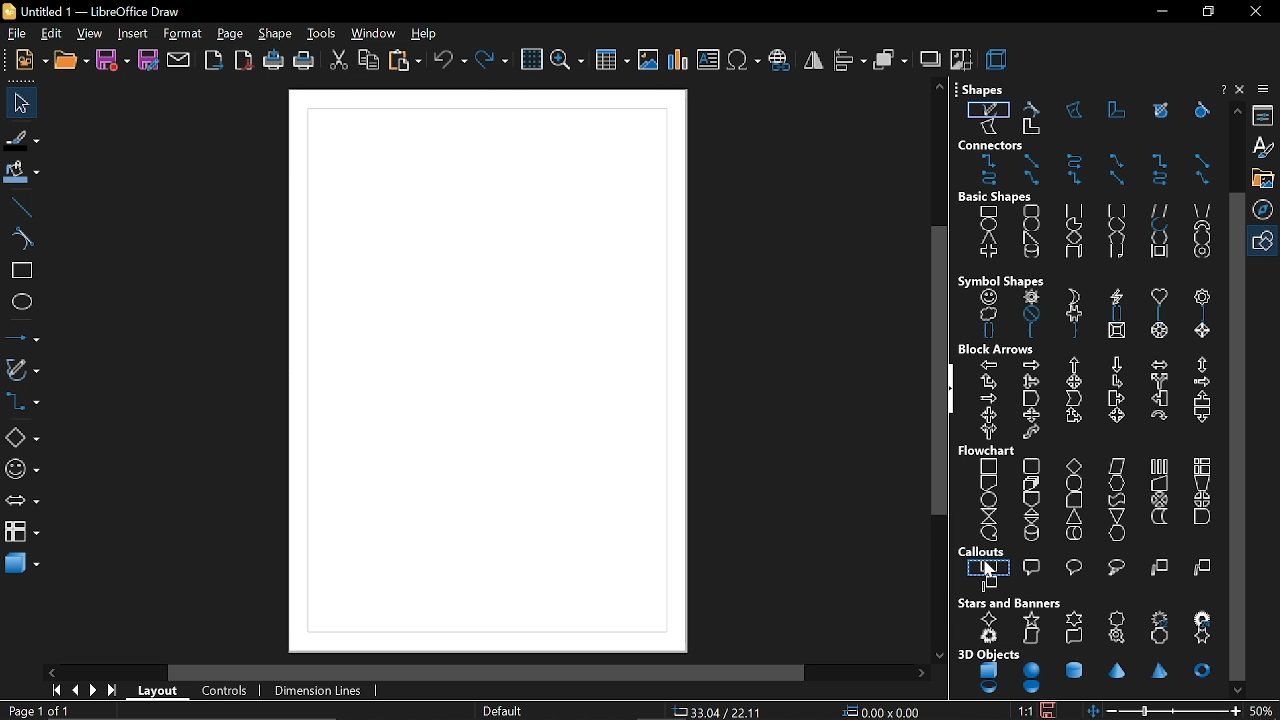  I want to click on prohibited, so click(1029, 316).